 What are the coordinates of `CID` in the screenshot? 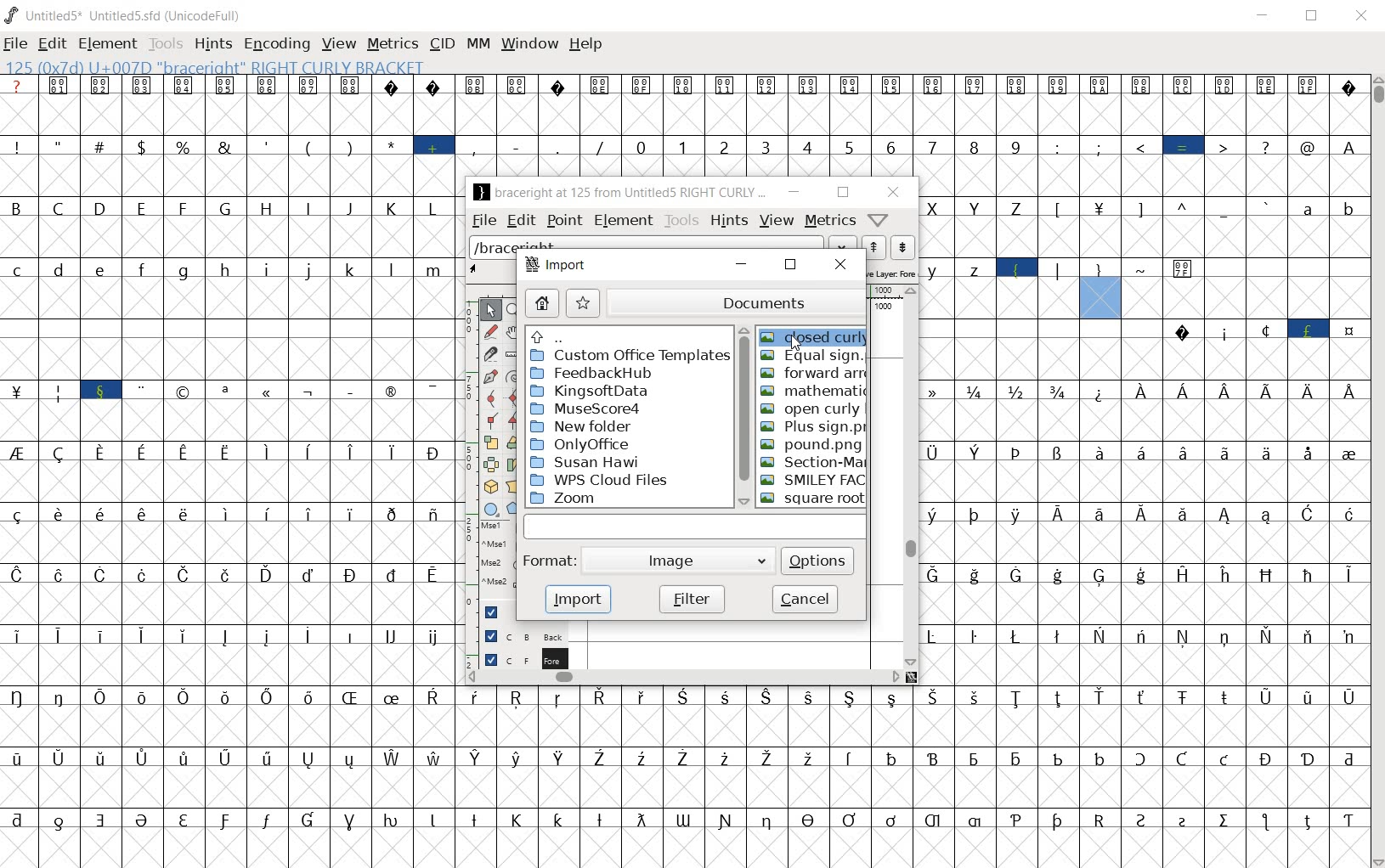 It's located at (442, 44).